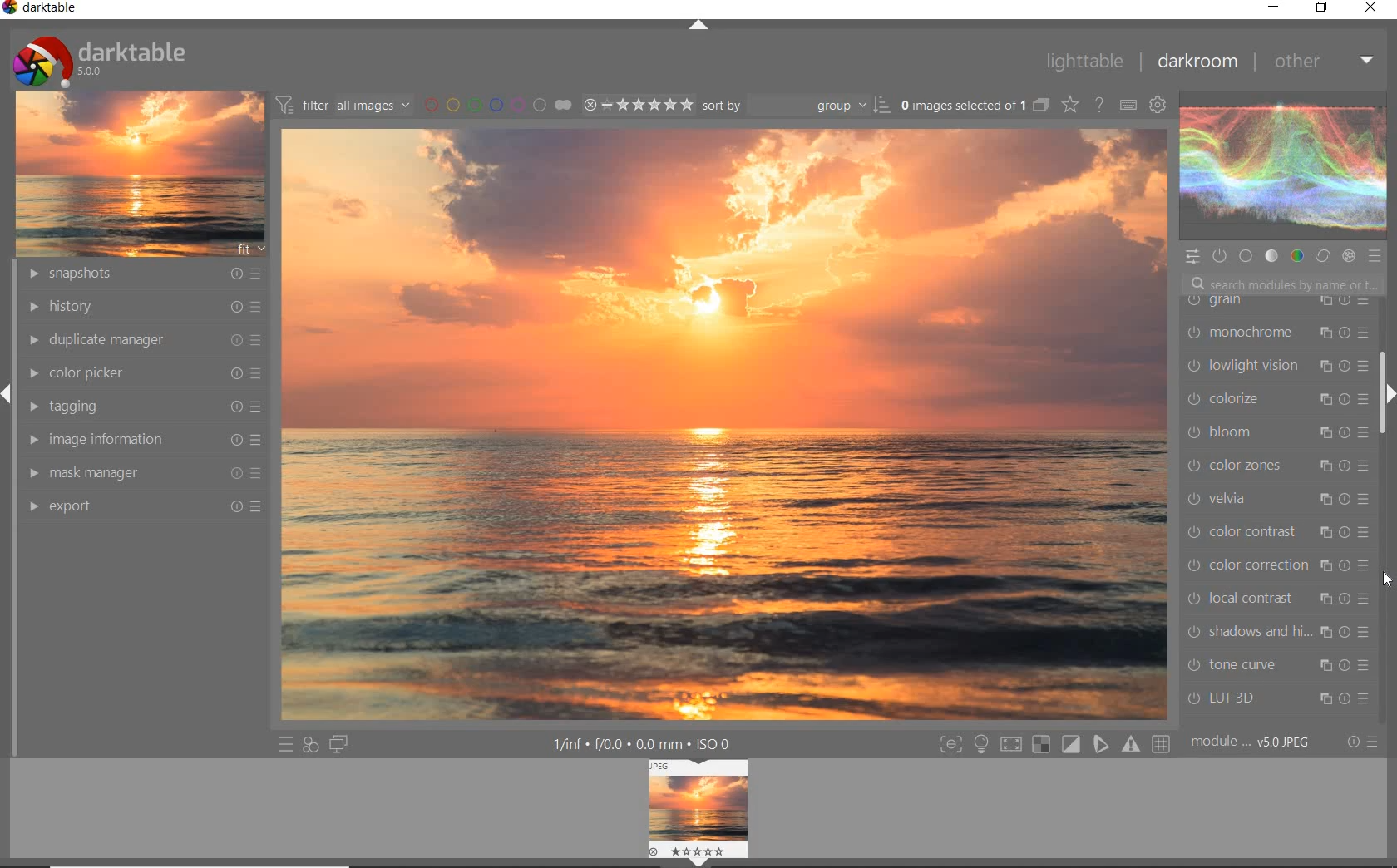  I want to click on color contrast, so click(1277, 533).